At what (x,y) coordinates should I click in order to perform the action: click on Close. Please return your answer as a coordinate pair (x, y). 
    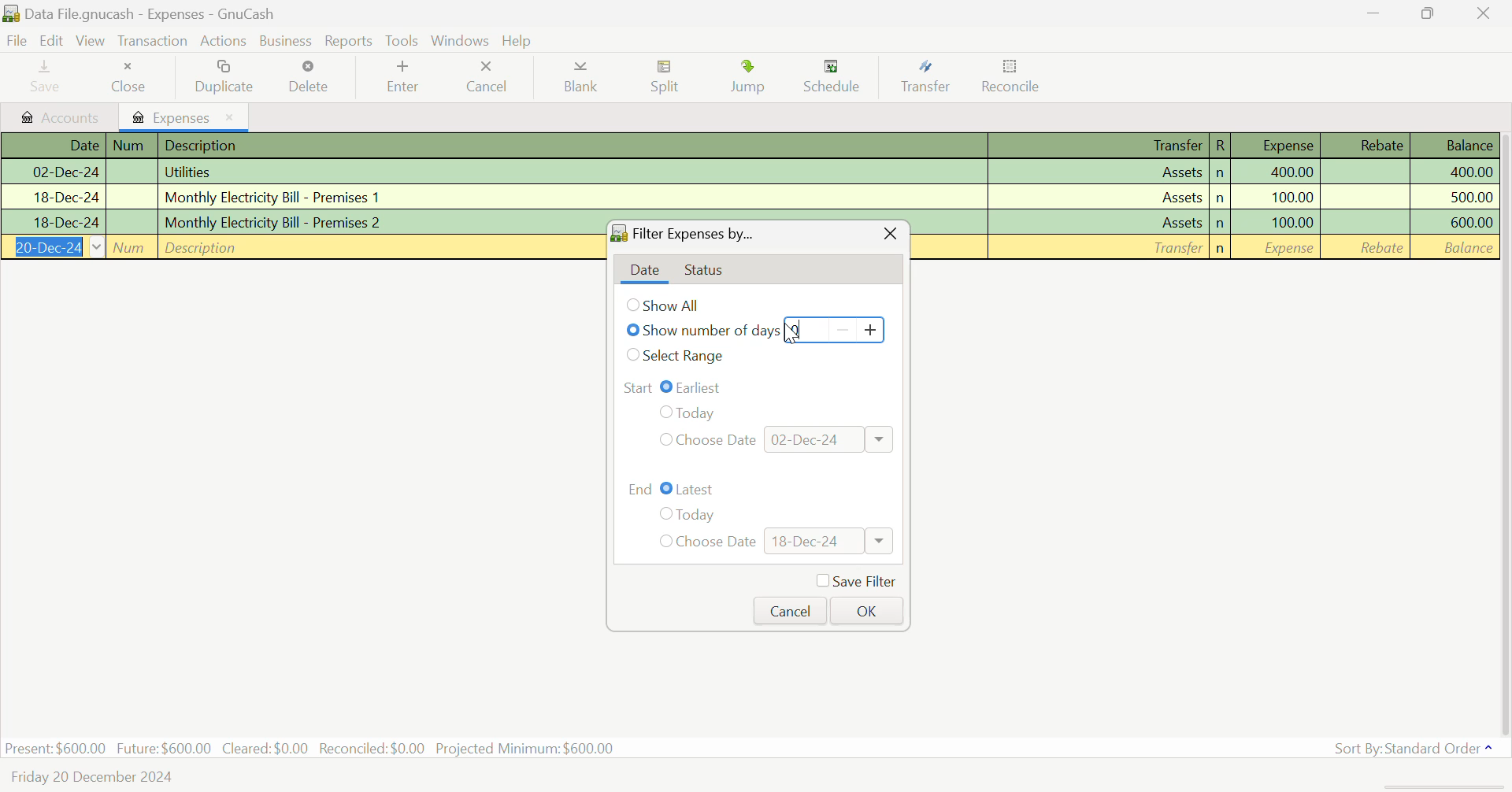
    Looking at the image, I should click on (1484, 13).